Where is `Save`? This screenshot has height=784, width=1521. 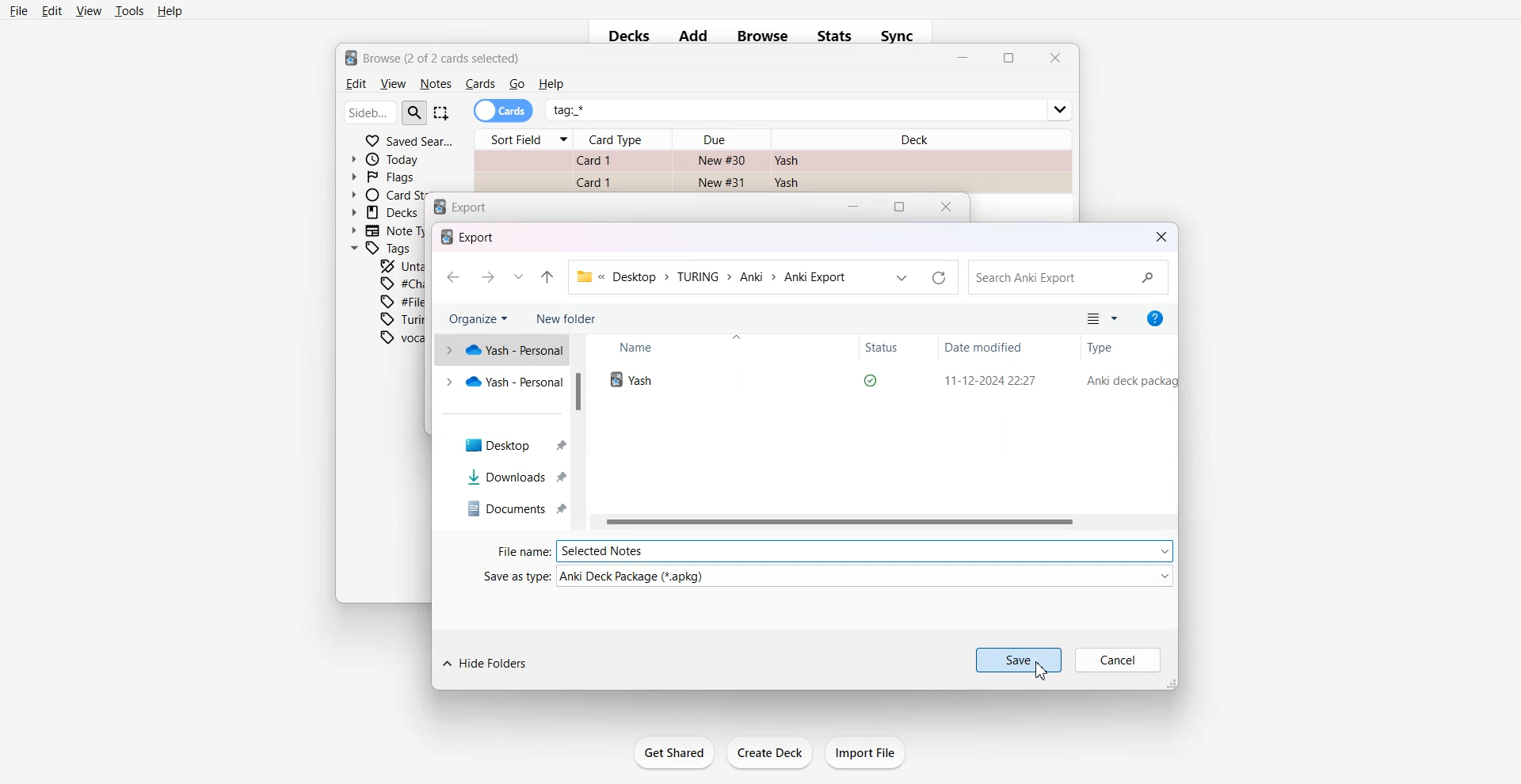 Save is located at coordinates (1020, 660).